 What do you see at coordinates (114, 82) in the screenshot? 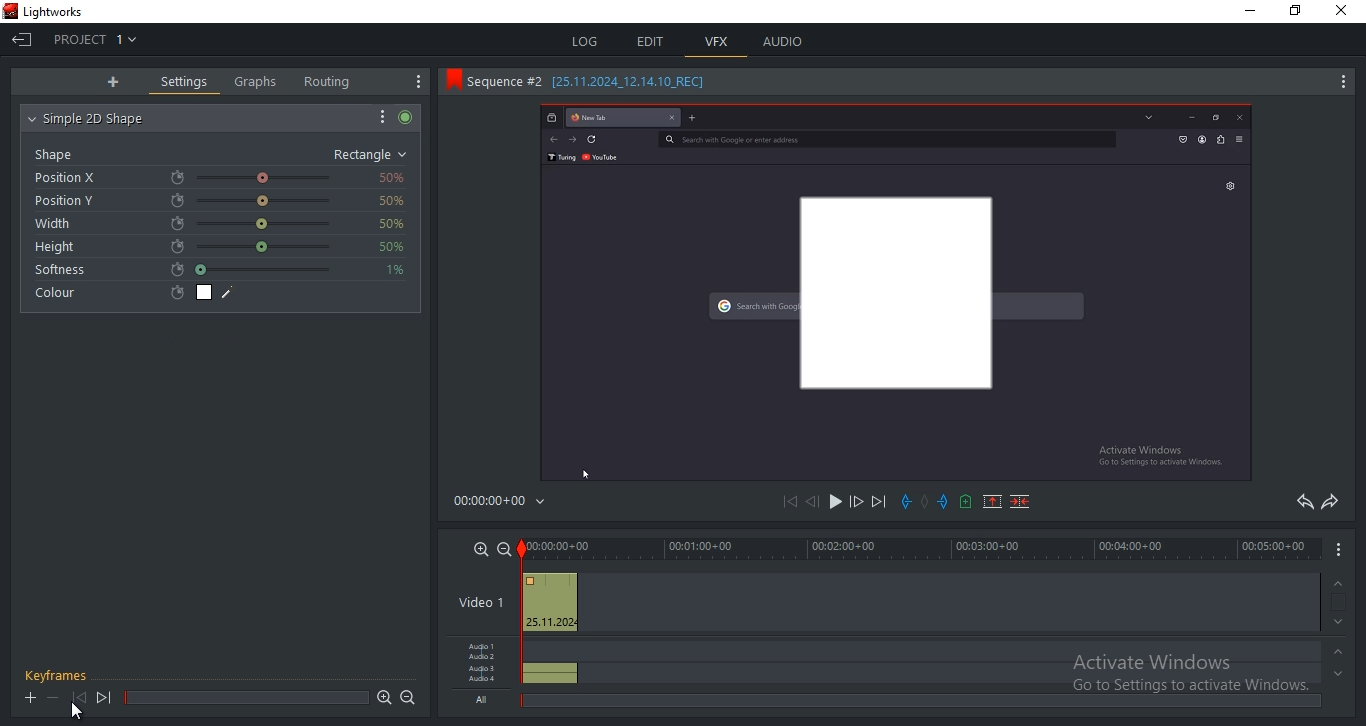
I see `add` at bounding box center [114, 82].